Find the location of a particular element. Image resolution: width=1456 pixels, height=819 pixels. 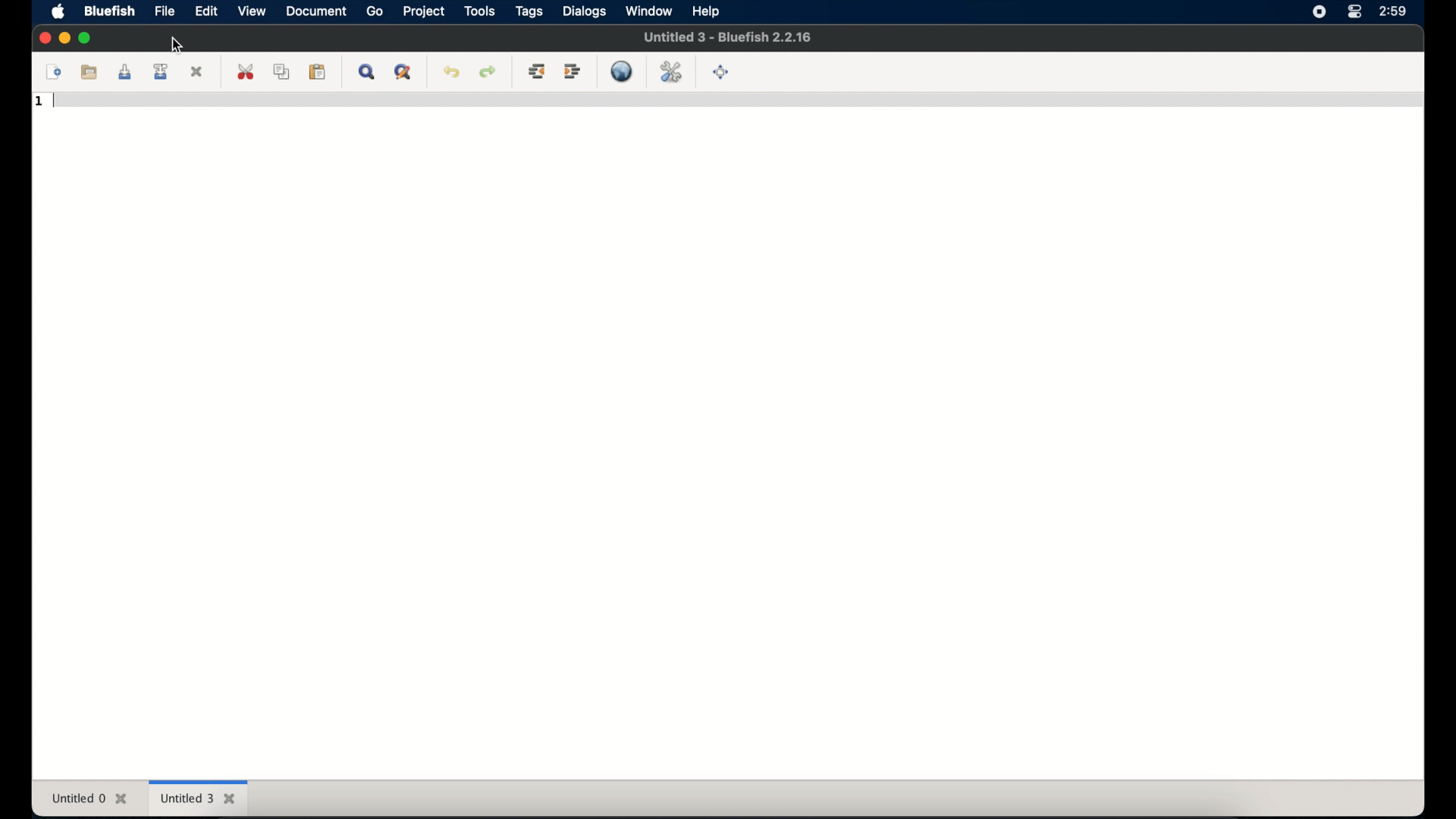

full screen is located at coordinates (722, 72).